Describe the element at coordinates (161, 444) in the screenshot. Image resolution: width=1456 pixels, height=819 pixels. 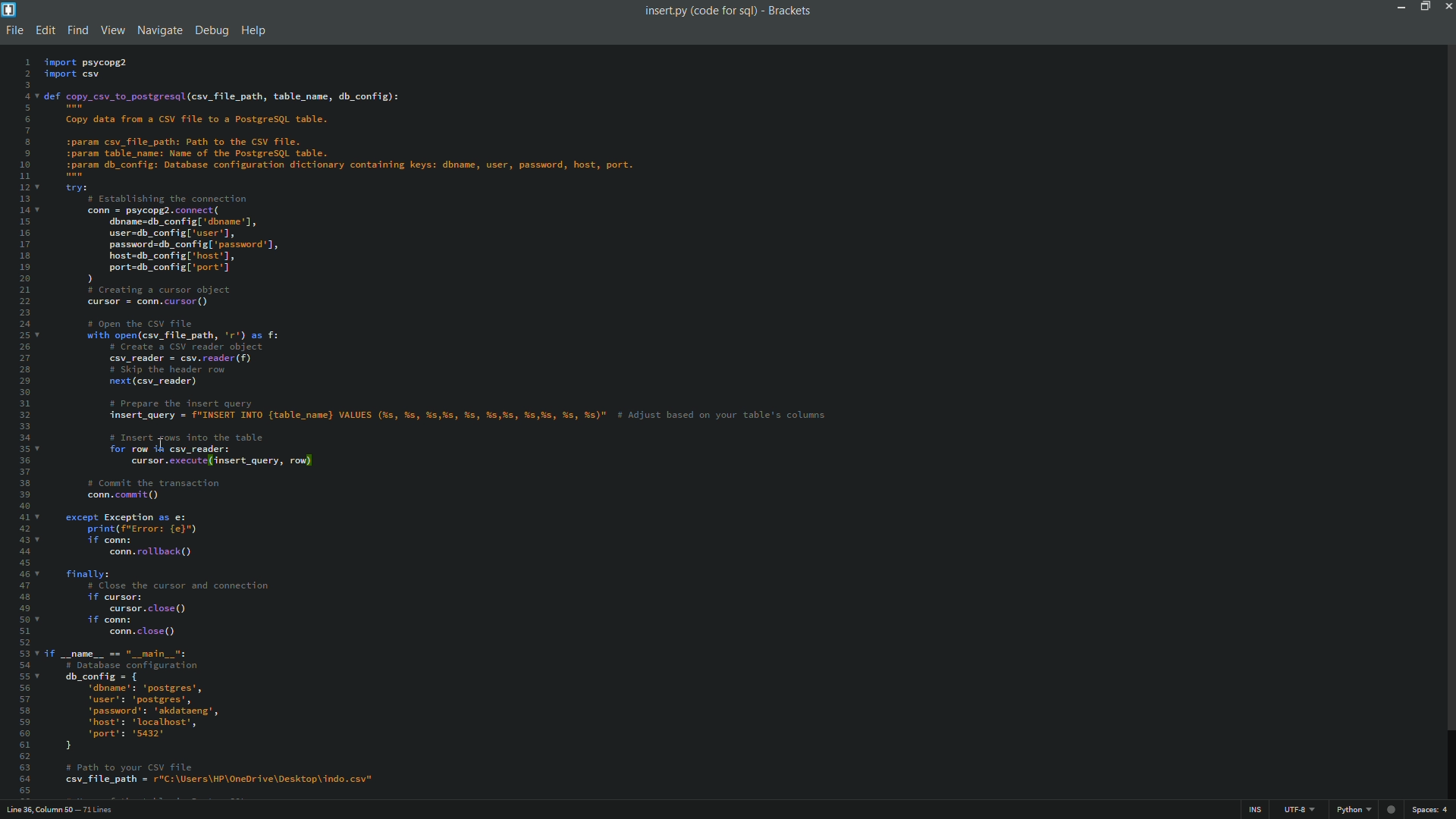
I see `cursor` at that location.